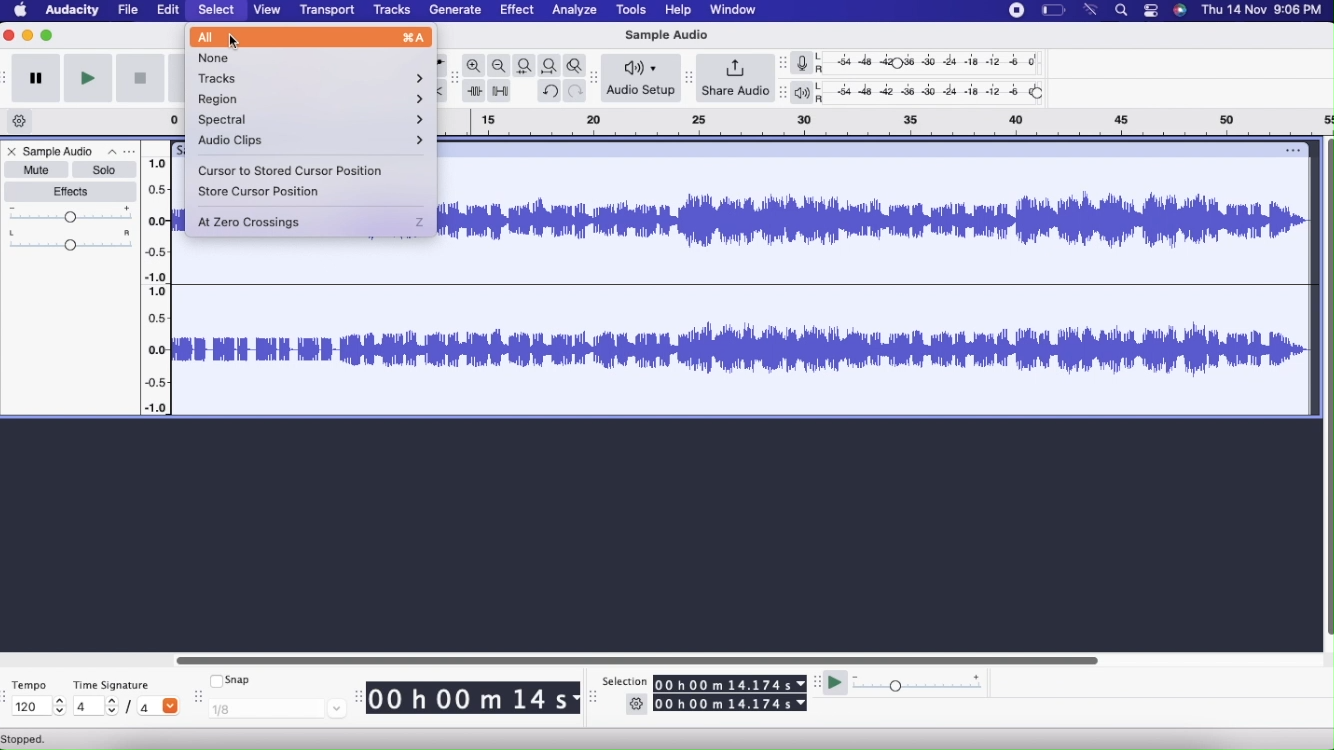 This screenshot has height=750, width=1334. Describe the element at coordinates (735, 10) in the screenshot. I see `Window` at that location.